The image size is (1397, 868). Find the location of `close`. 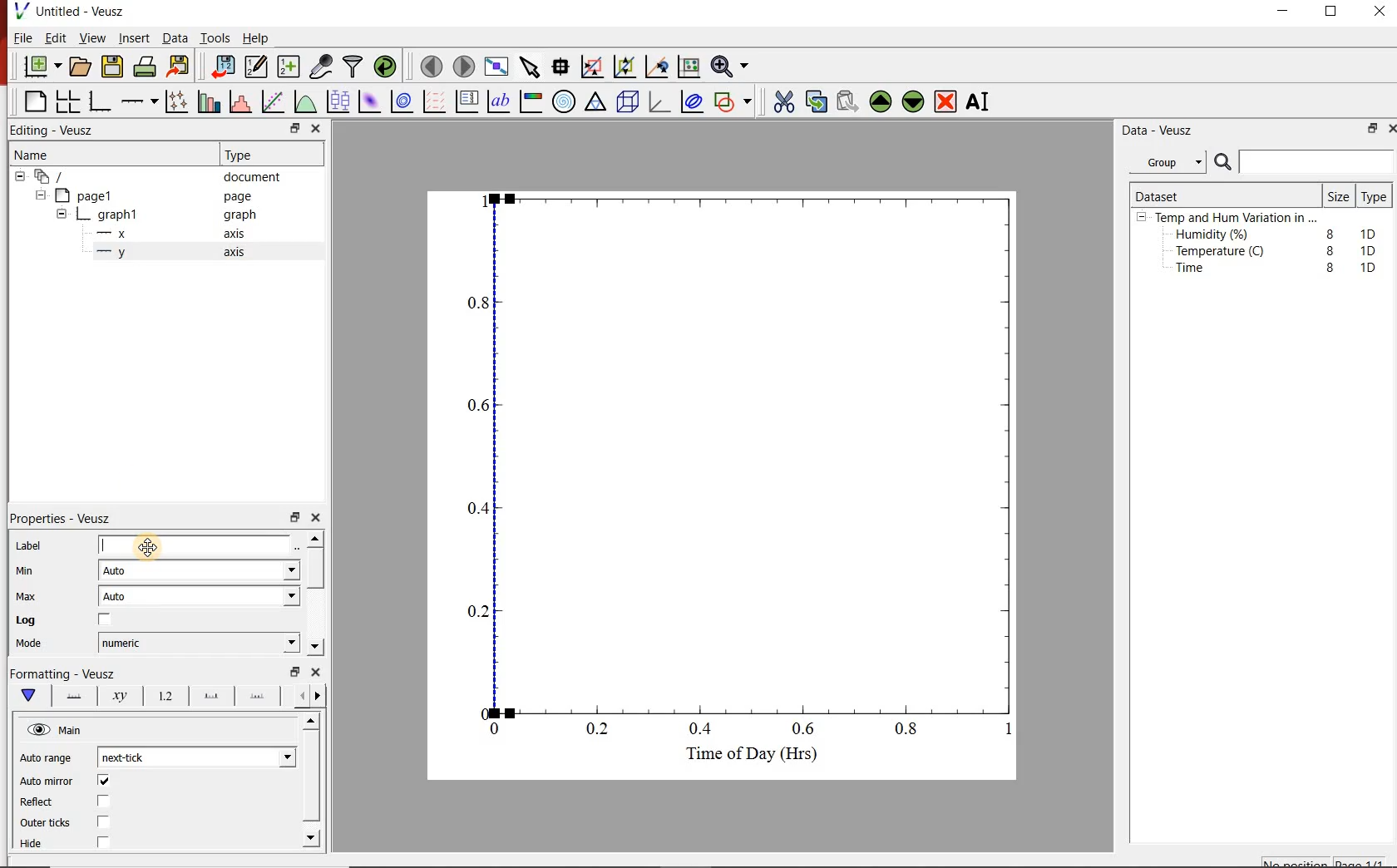

close is located at coordinates (318, 673).